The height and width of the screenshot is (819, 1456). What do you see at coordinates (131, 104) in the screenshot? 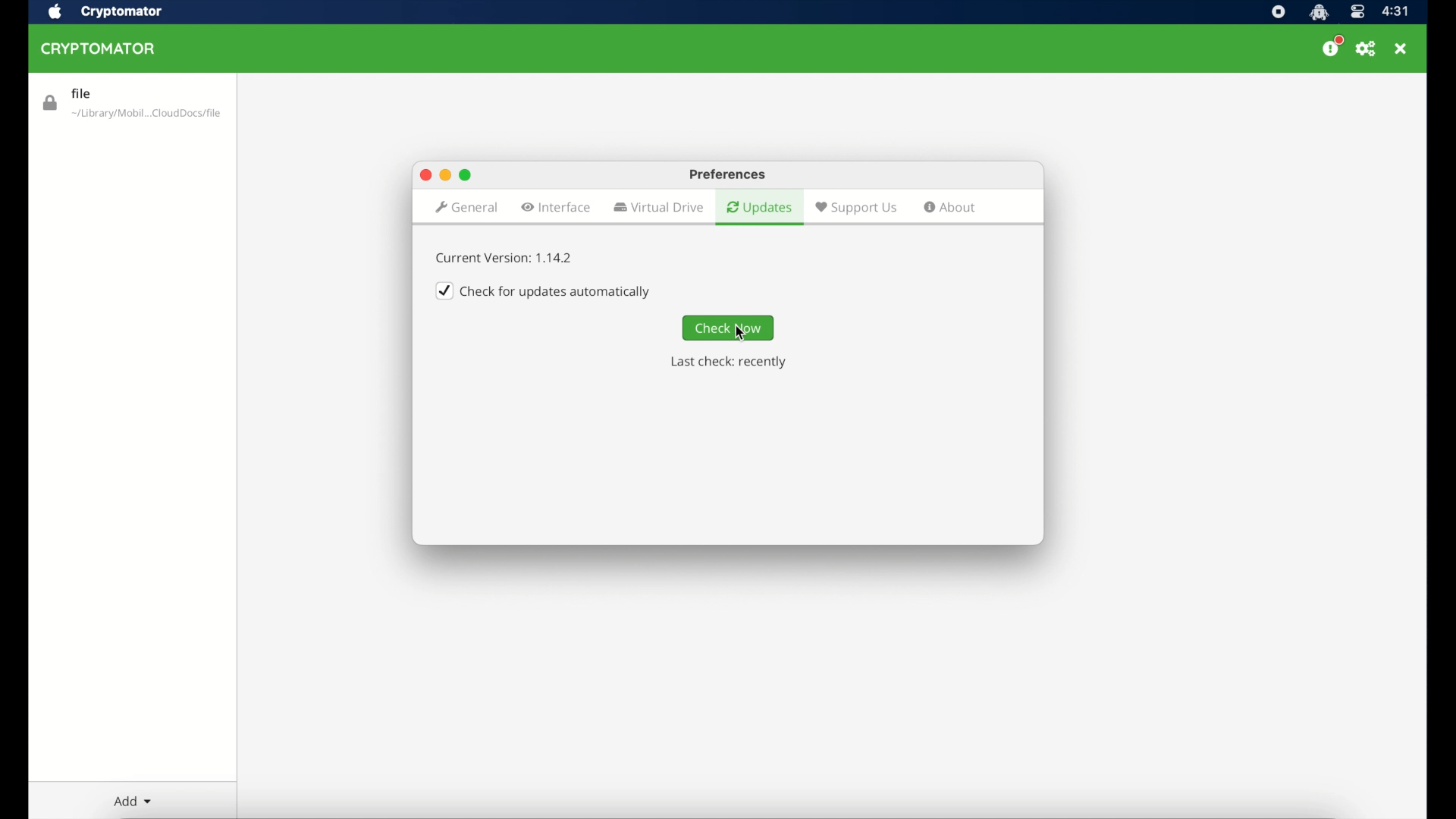
I see `file` at bounding box center [131, 104].